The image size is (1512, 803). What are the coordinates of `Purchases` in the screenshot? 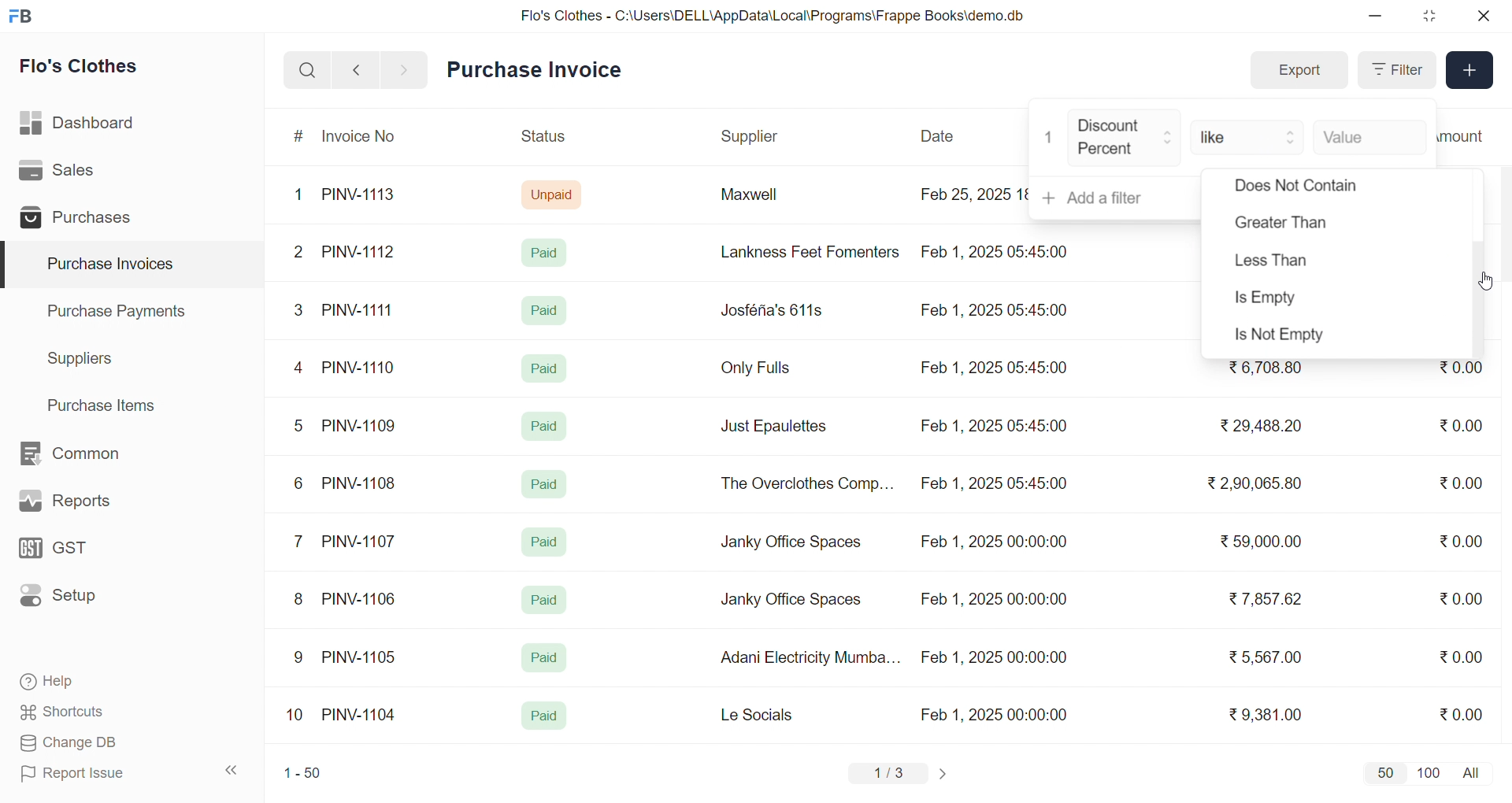 It's located at (81, 220).